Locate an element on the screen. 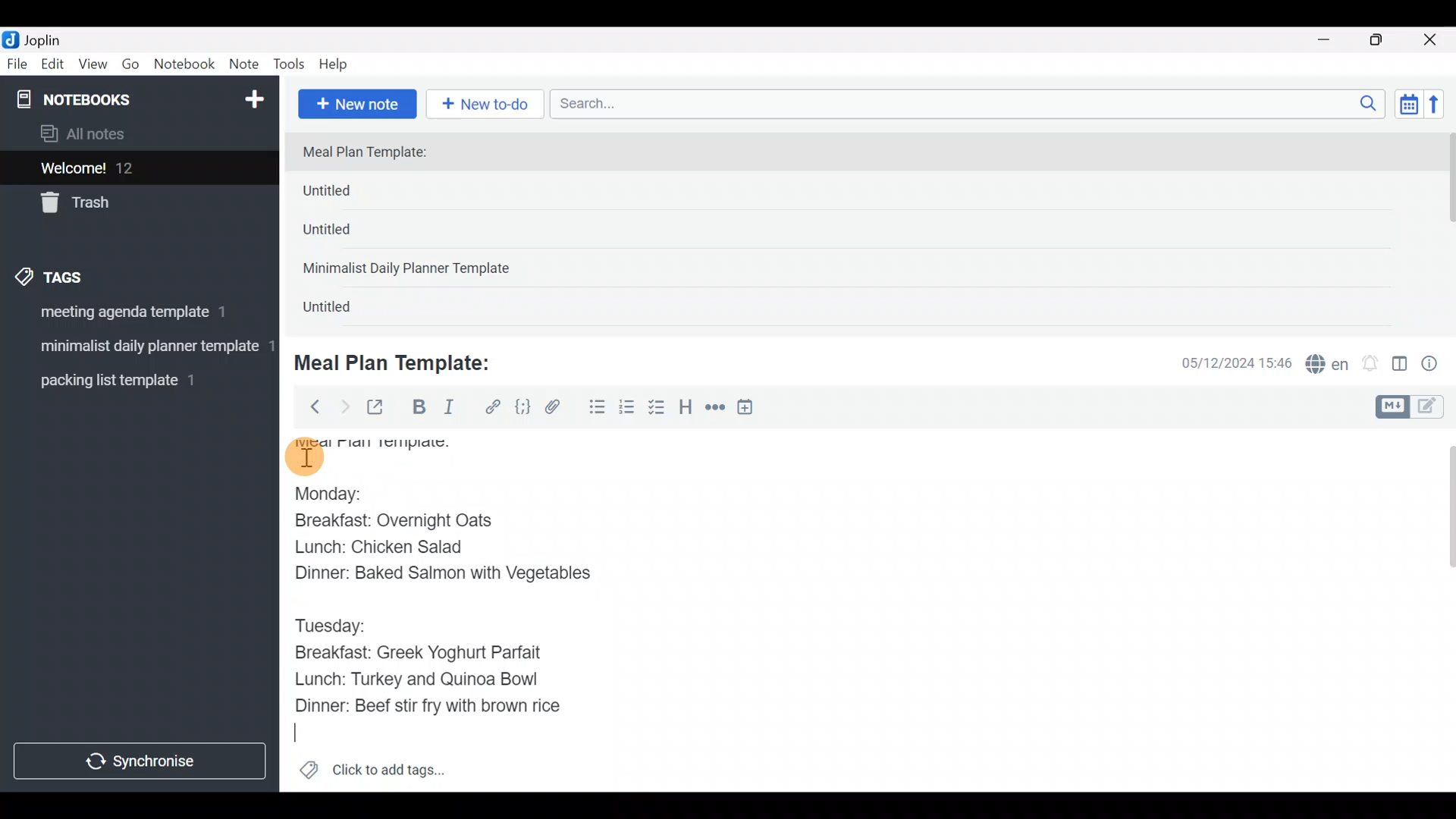 The height and width of the screenshot is (819, 1456). Scroll bar is located at coordinates (1440, 610).